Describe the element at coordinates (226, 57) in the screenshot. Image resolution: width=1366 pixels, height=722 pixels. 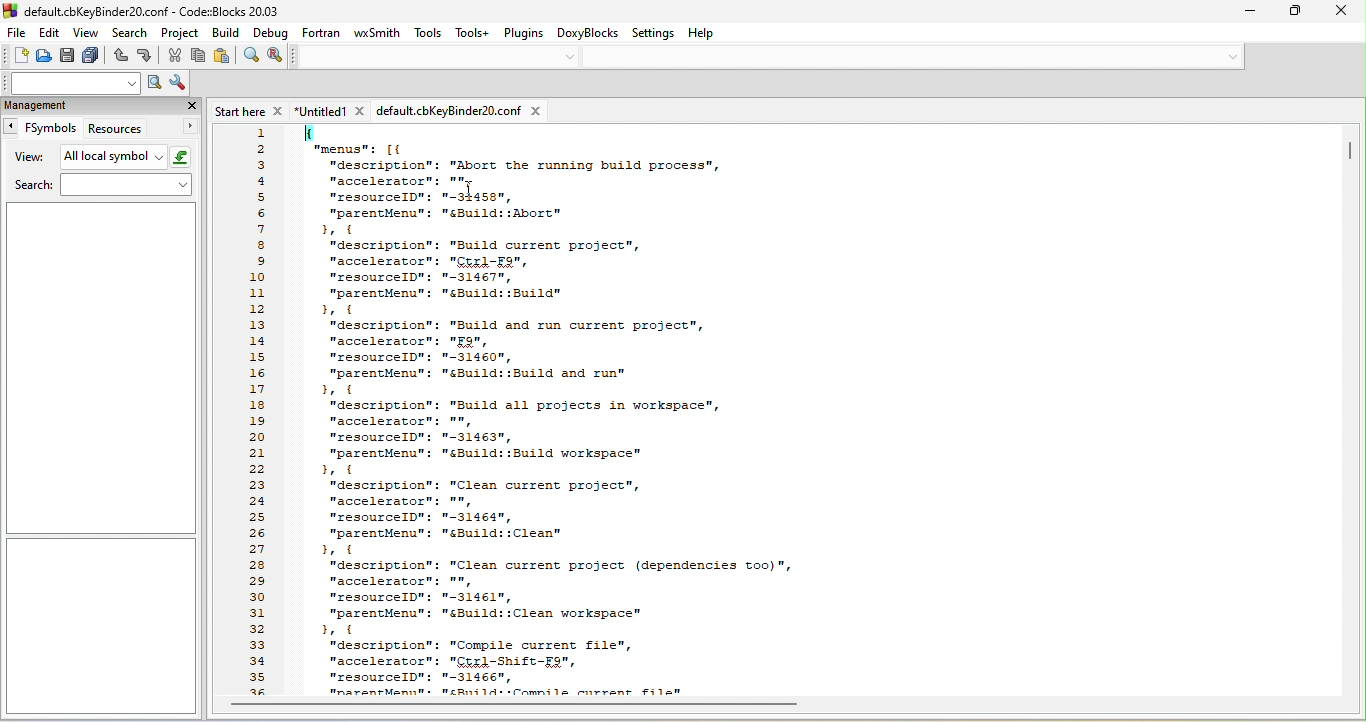
I see `paste` at that location.